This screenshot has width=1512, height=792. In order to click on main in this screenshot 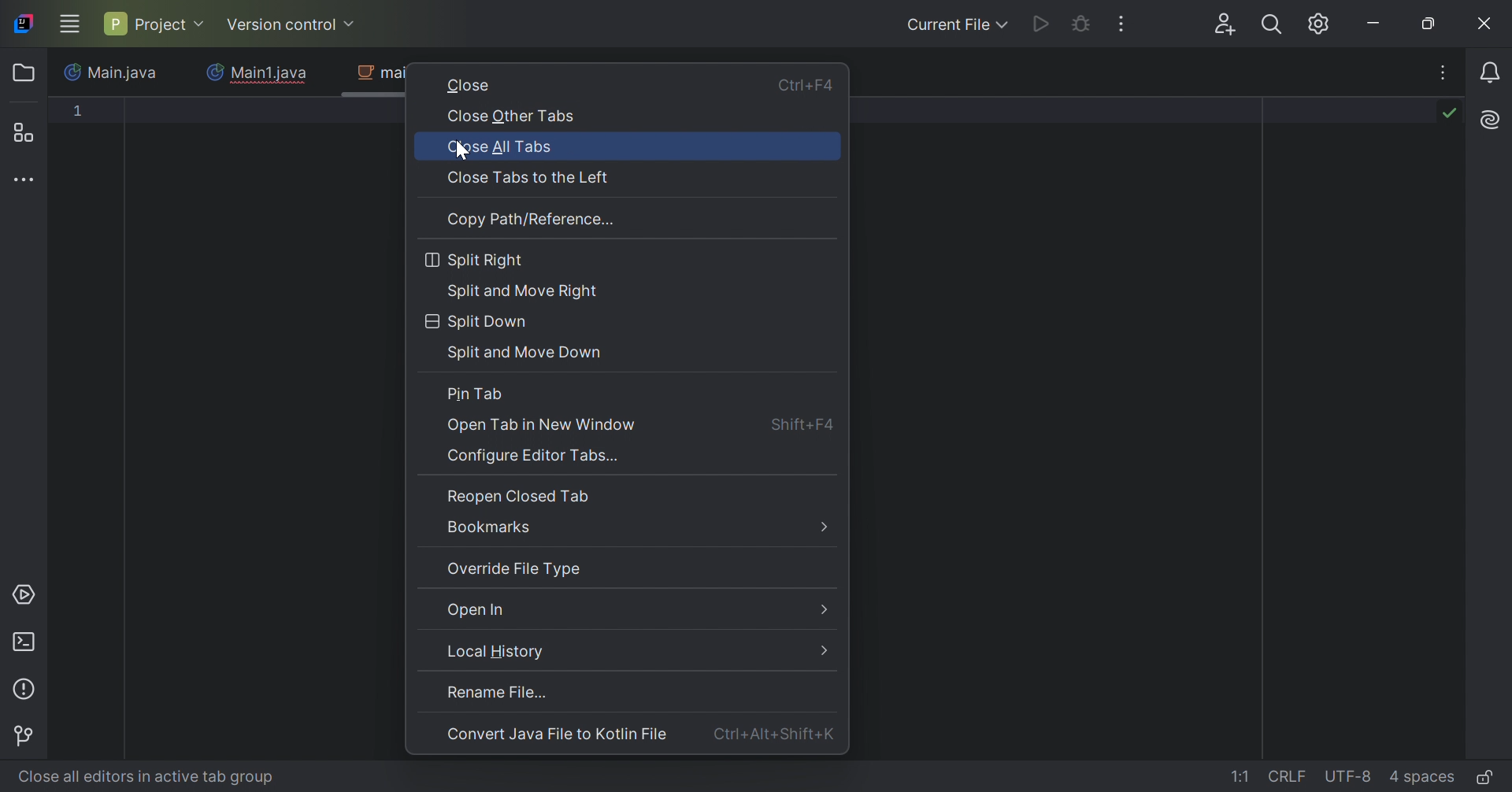, I will do `click(375, 80)`.